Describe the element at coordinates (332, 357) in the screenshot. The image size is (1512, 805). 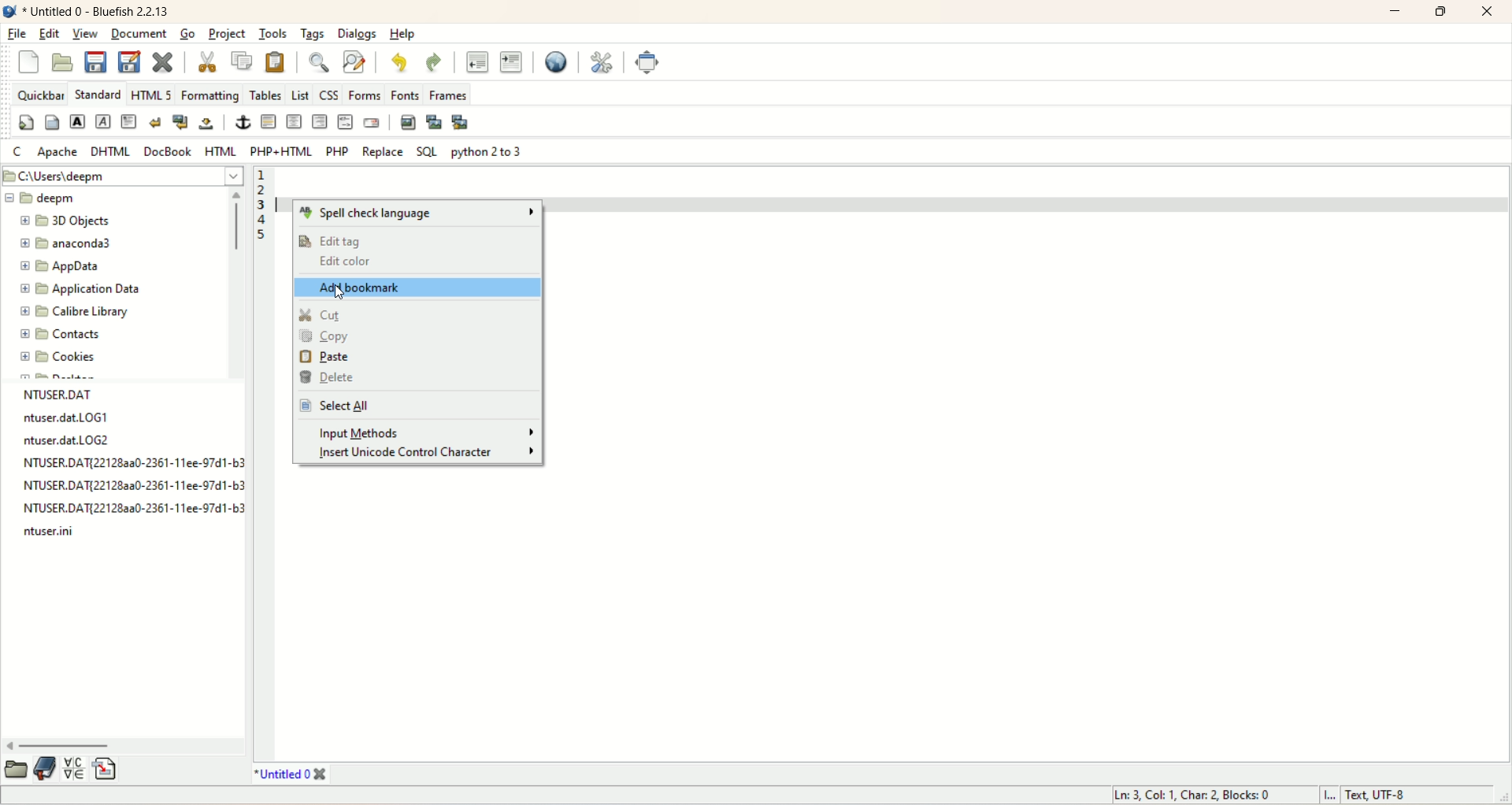
I see `paste` at that location.